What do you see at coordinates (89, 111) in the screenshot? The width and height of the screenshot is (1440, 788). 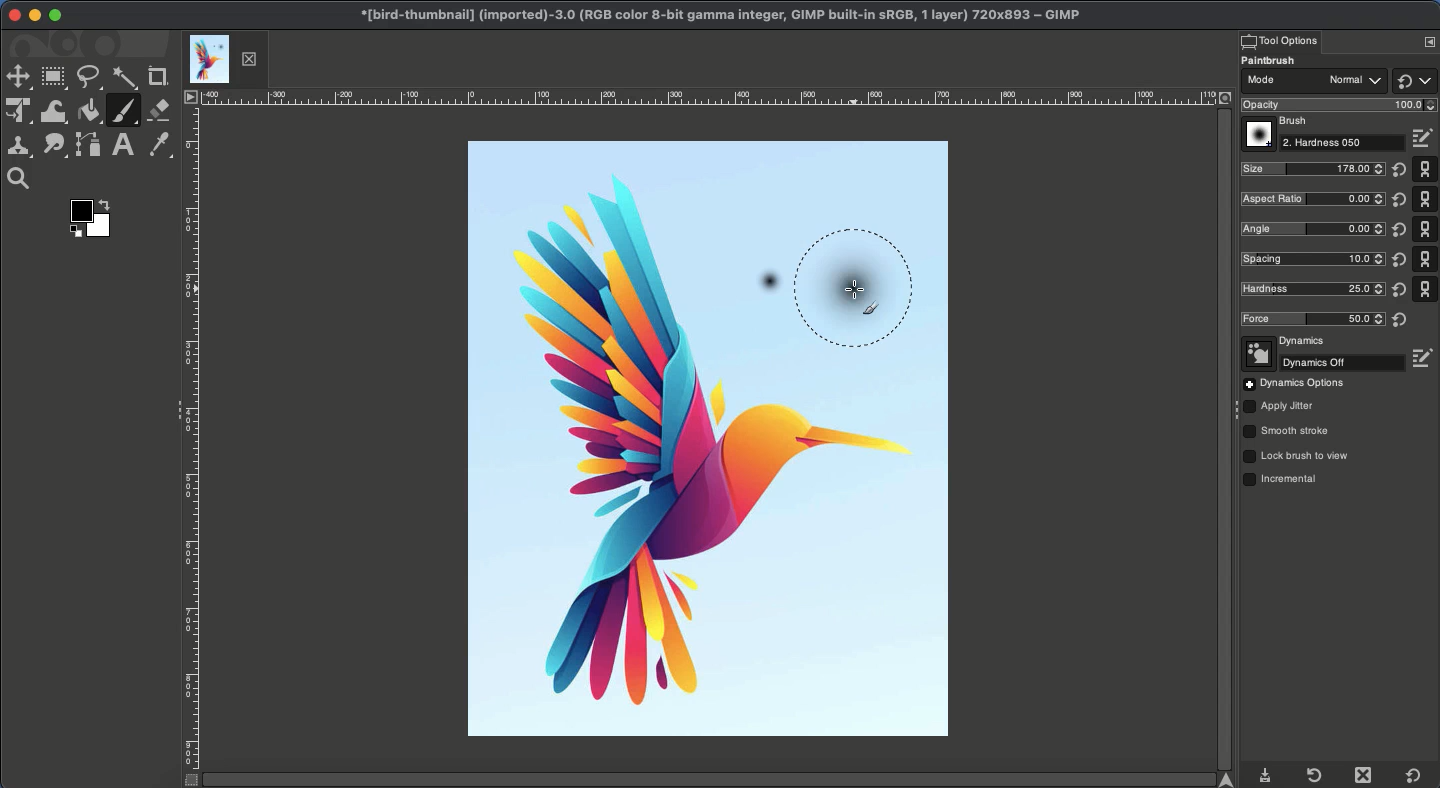 I see `Fill color` at bounding box center [89, 111].